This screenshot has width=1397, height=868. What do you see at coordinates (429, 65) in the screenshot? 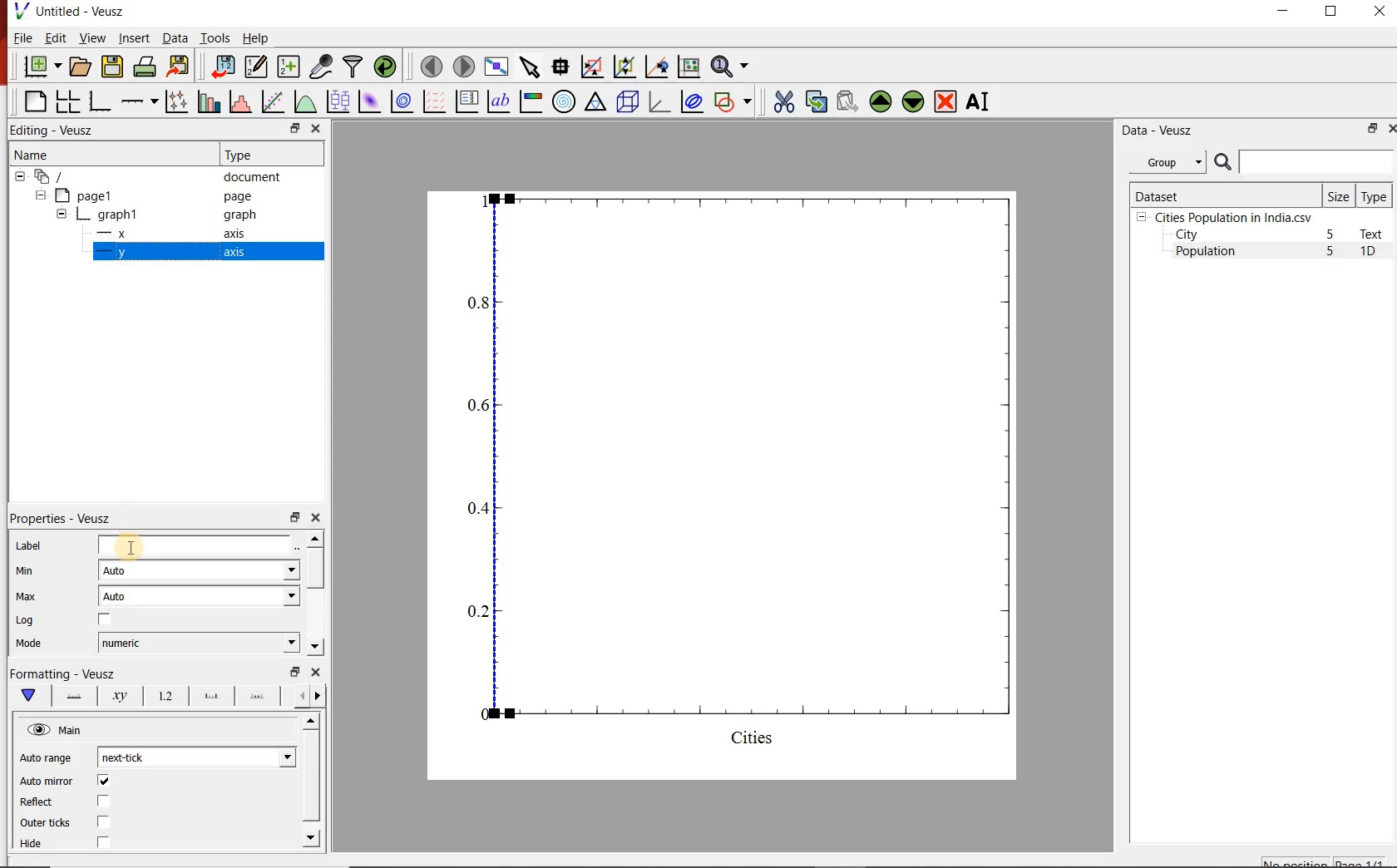
I see `move to the previous page` at bounding box center [429, 65].